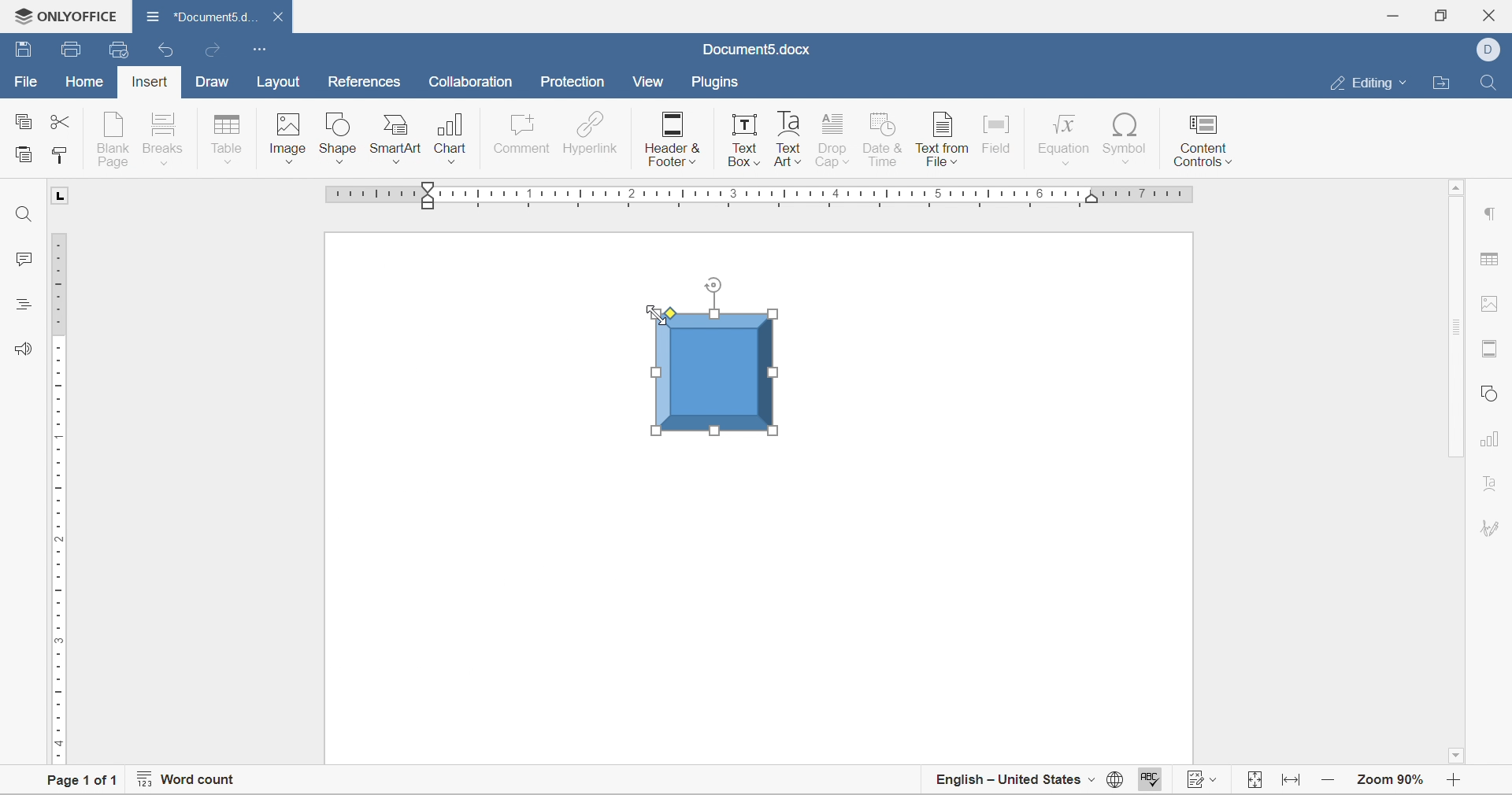 This screenshot has width=1512, height=795. What do you see at coordinates (450, 133) in the screenshot?
I see `chart` at bounding box center [450, 133].